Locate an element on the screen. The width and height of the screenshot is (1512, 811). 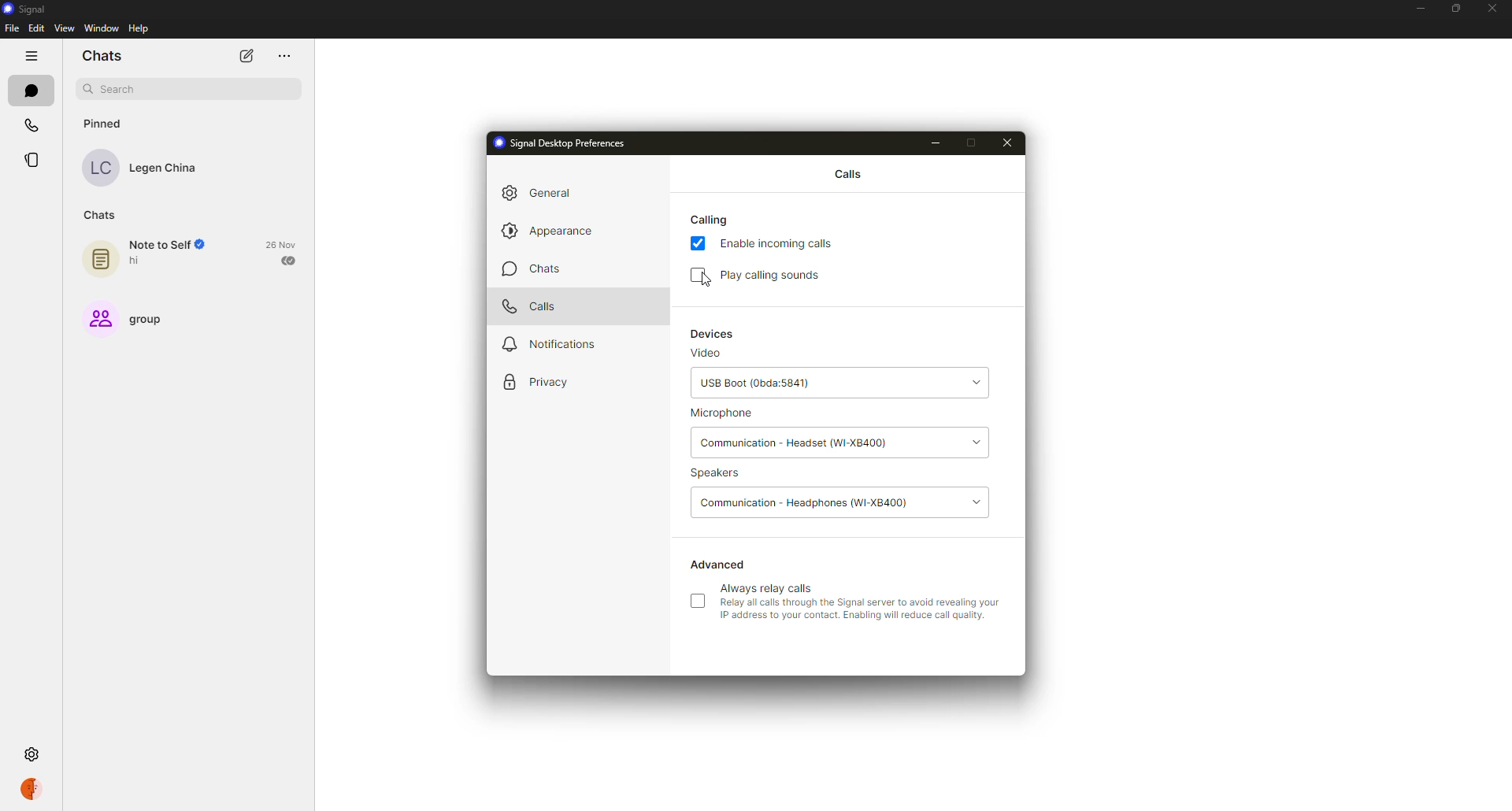
drop is located at coordinates (984, 500).